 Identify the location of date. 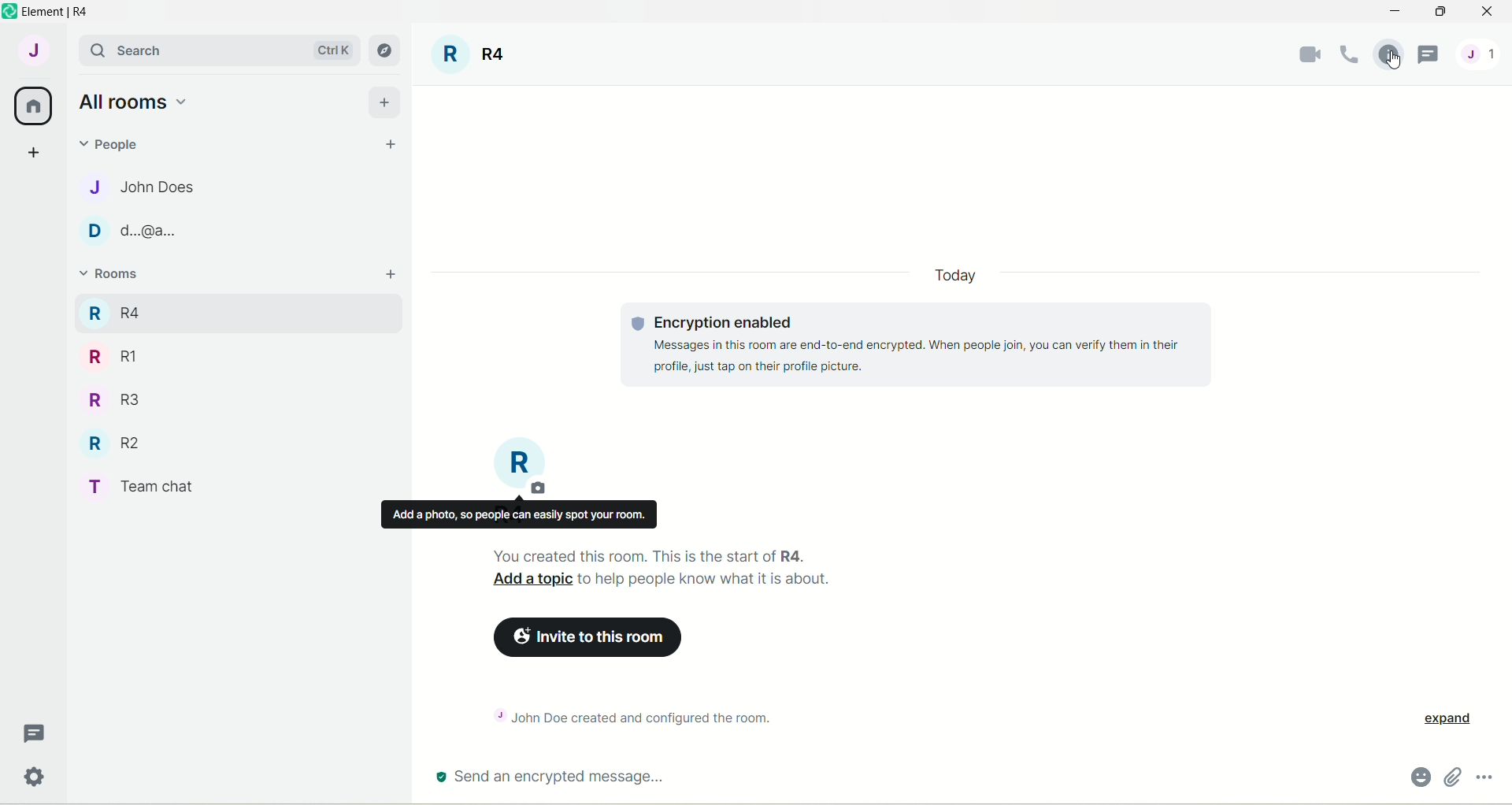
(954, 276).